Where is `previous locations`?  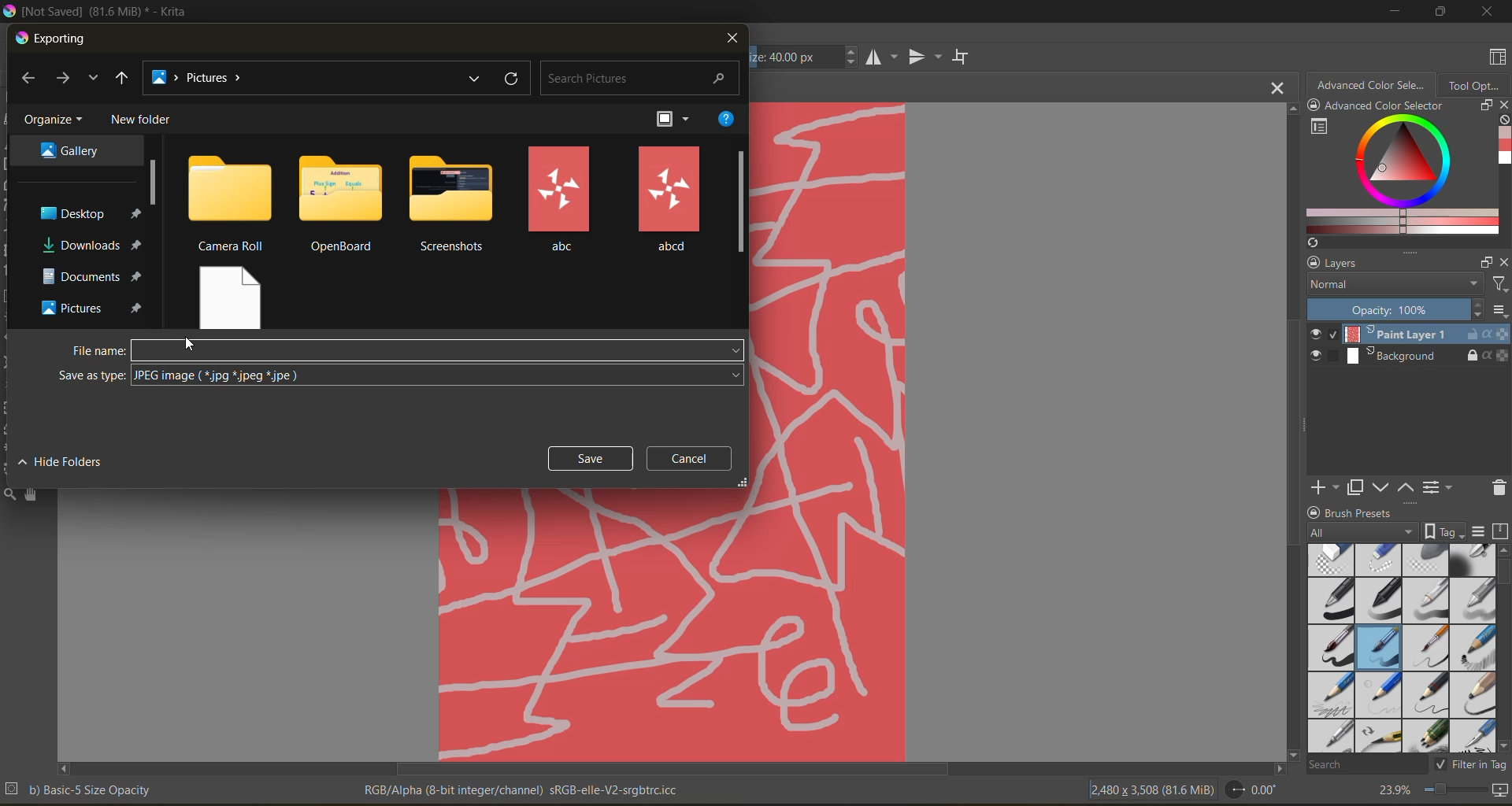 previous locations is located at coordinates (476, 78).